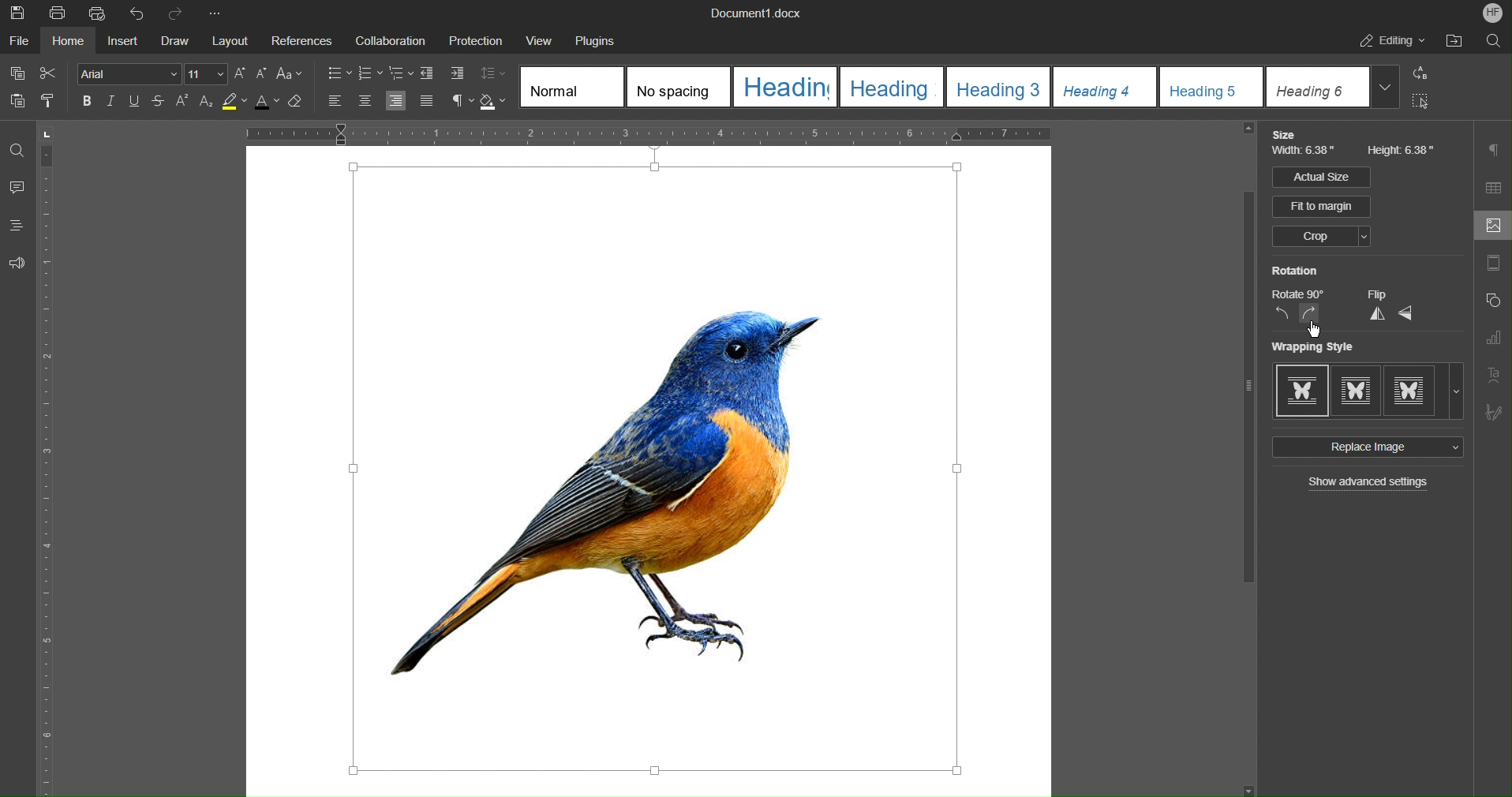 Image resolution: width=1512 pixels, height=797 pixels. What do you see at coordinates (227, 39) in the screenshot?
I see `Layout` at bounding box center [227, 39].